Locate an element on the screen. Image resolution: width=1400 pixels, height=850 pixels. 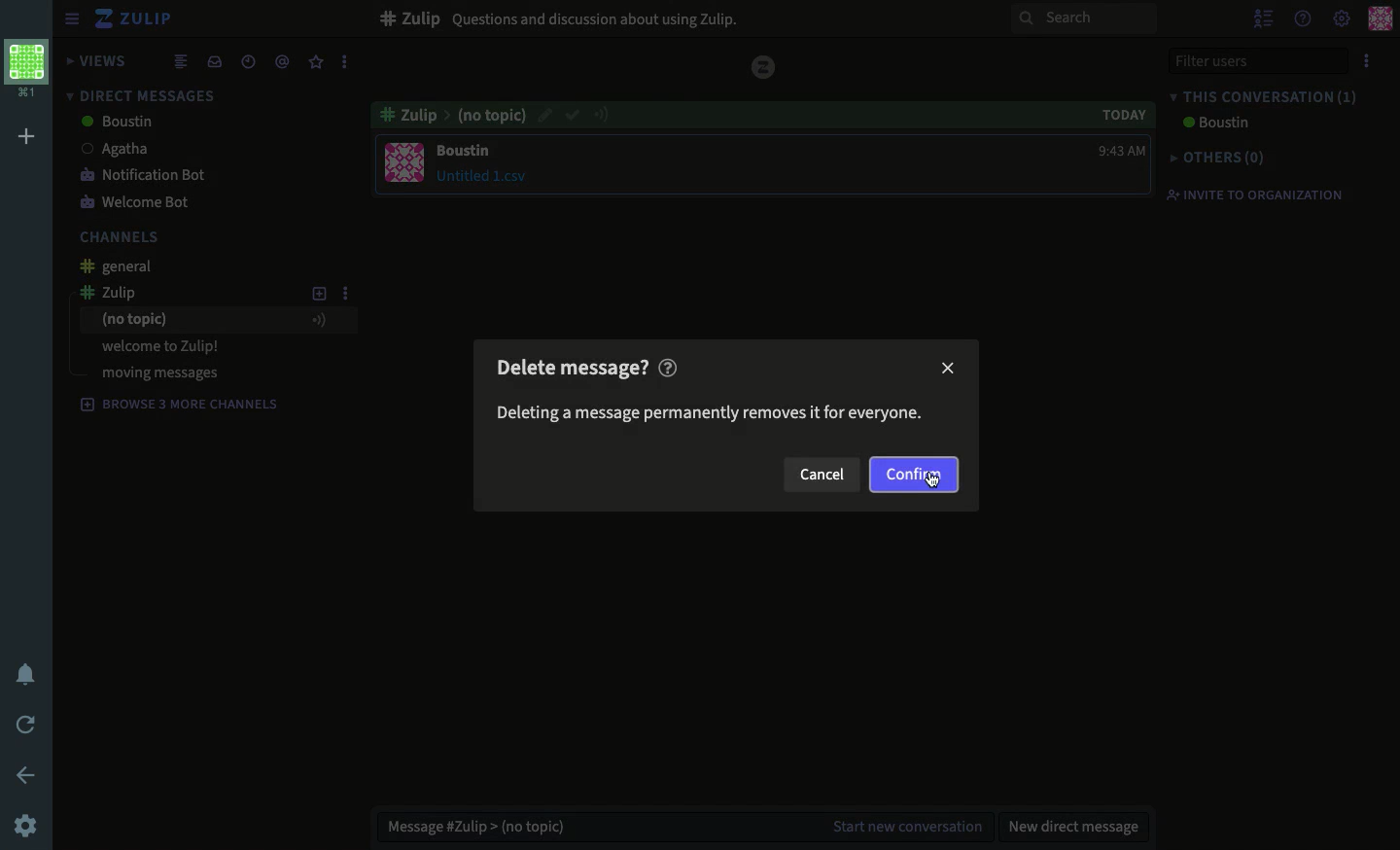
notification is located at coordinates (25, 672).